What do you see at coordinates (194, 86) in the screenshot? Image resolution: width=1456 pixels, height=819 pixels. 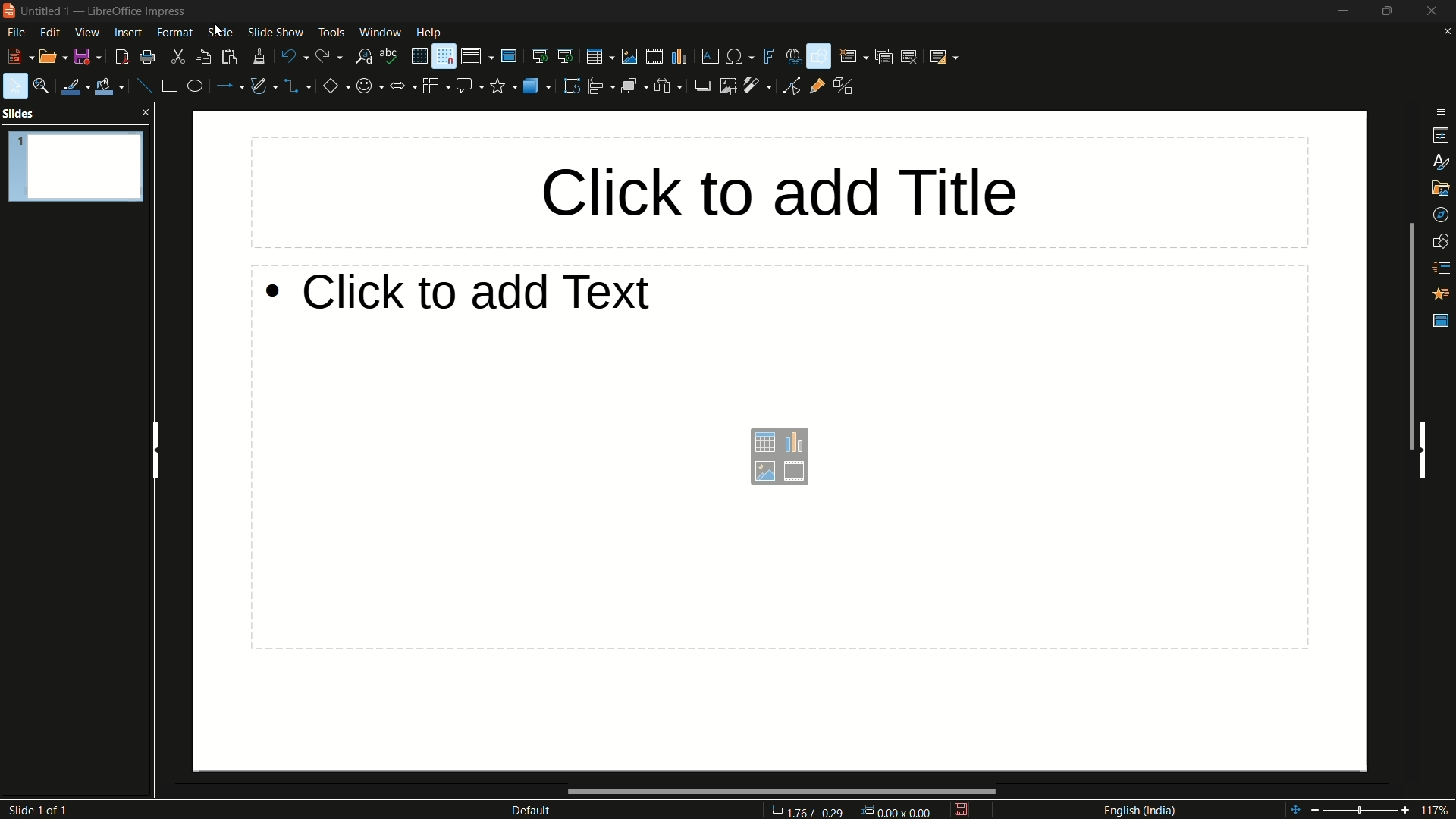 I see `ellipse` at bounding box center [194, 86].